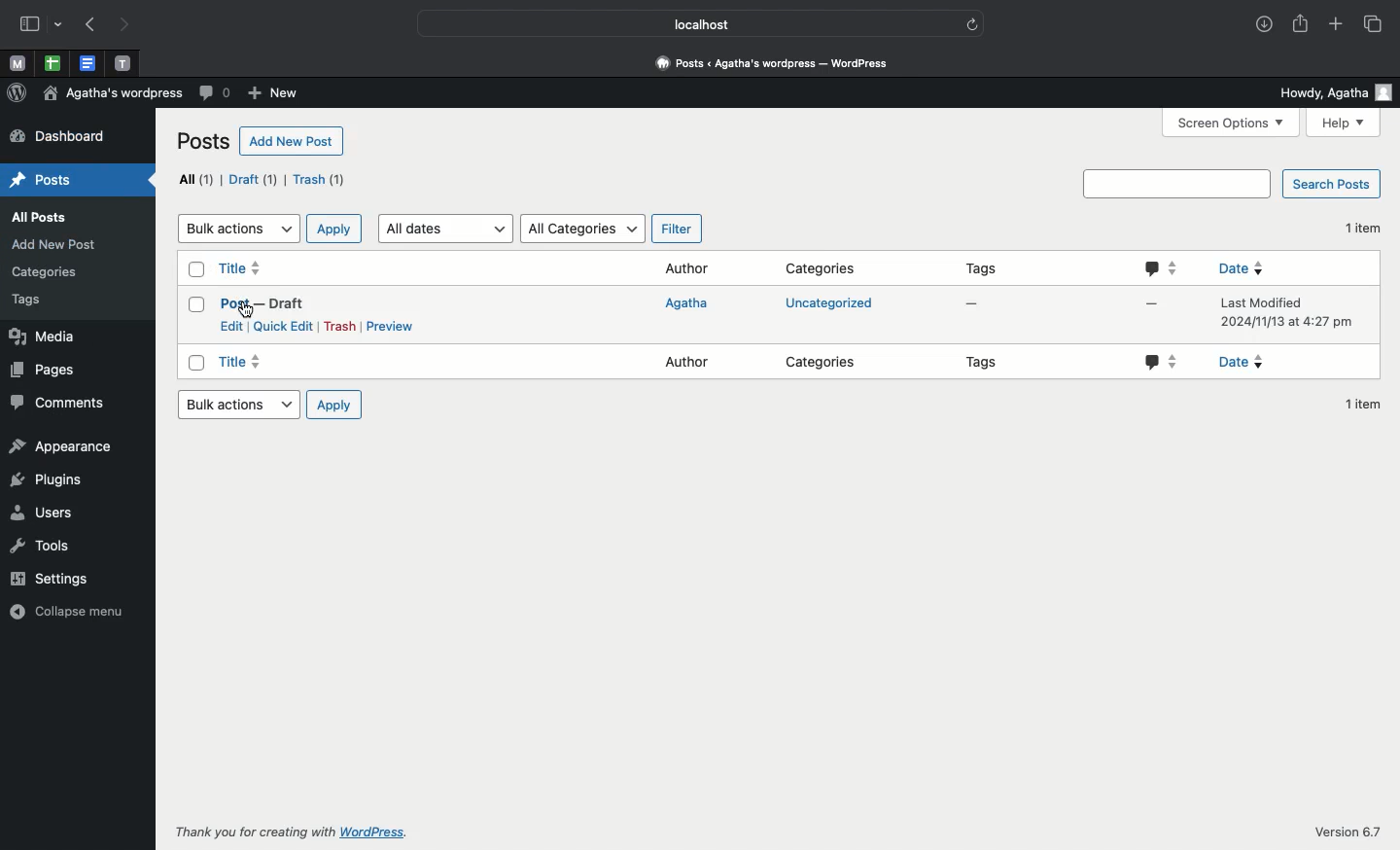 This screenshot has width=1400, height=850. I want to click on Tags, so click(993, 266).